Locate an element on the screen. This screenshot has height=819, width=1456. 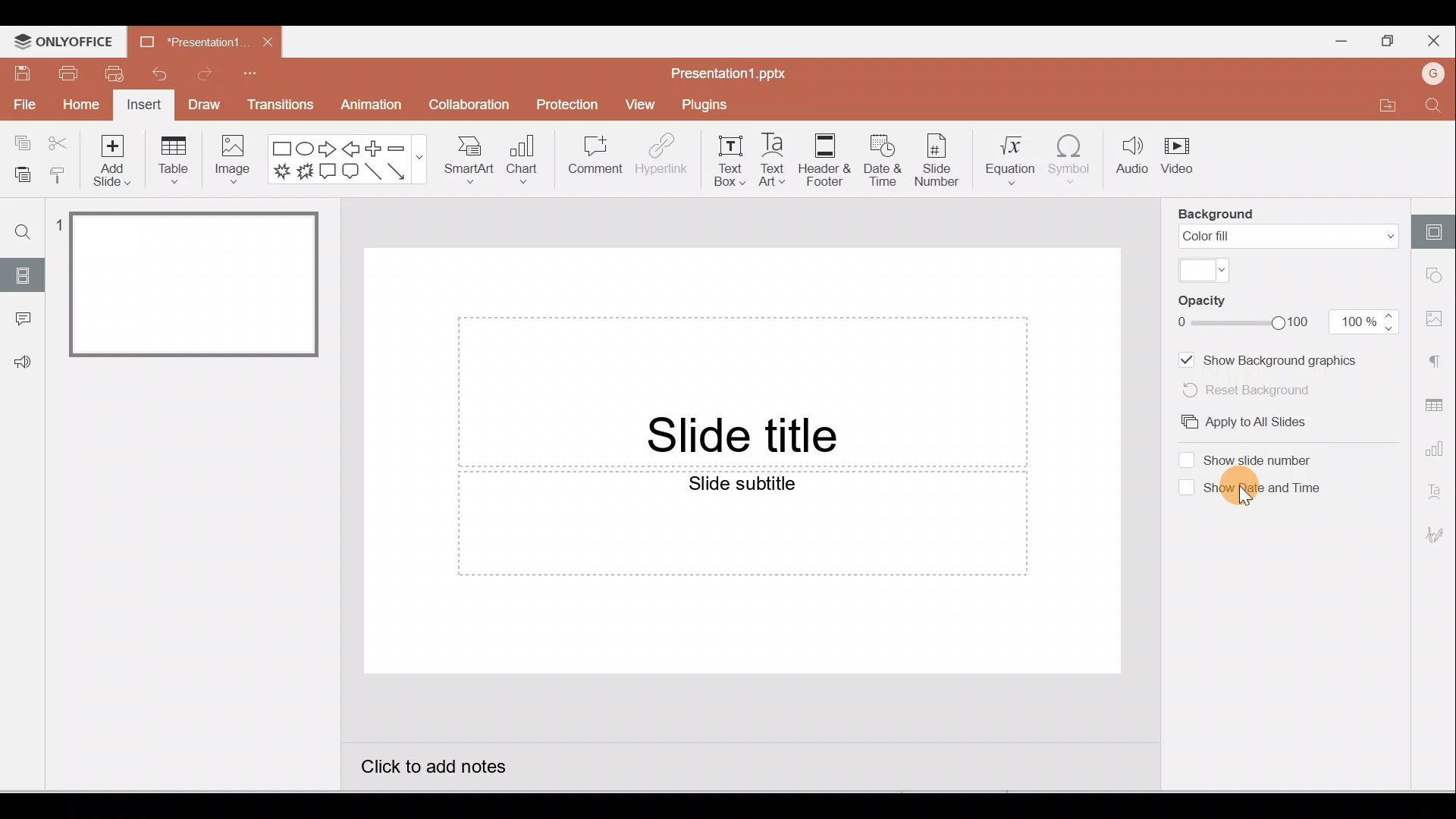
Text box is located at coordinates (730, 159).